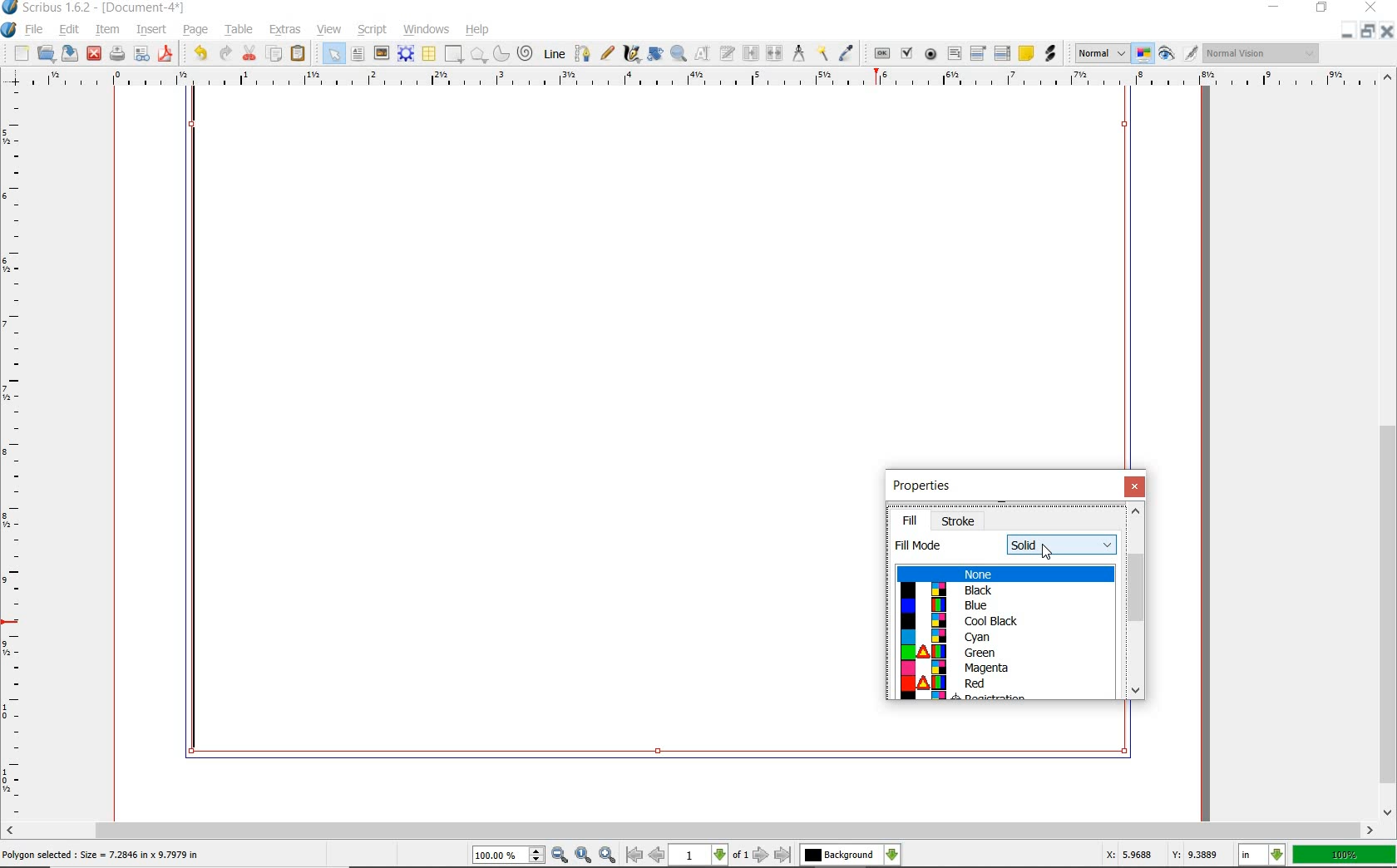 Image resolution: width=1397 pixels, height=868 pixels. What do you see at coordinates (1144, 55) in the screenshot?
I see `toggle color management` at bounding box center [1144, 55].